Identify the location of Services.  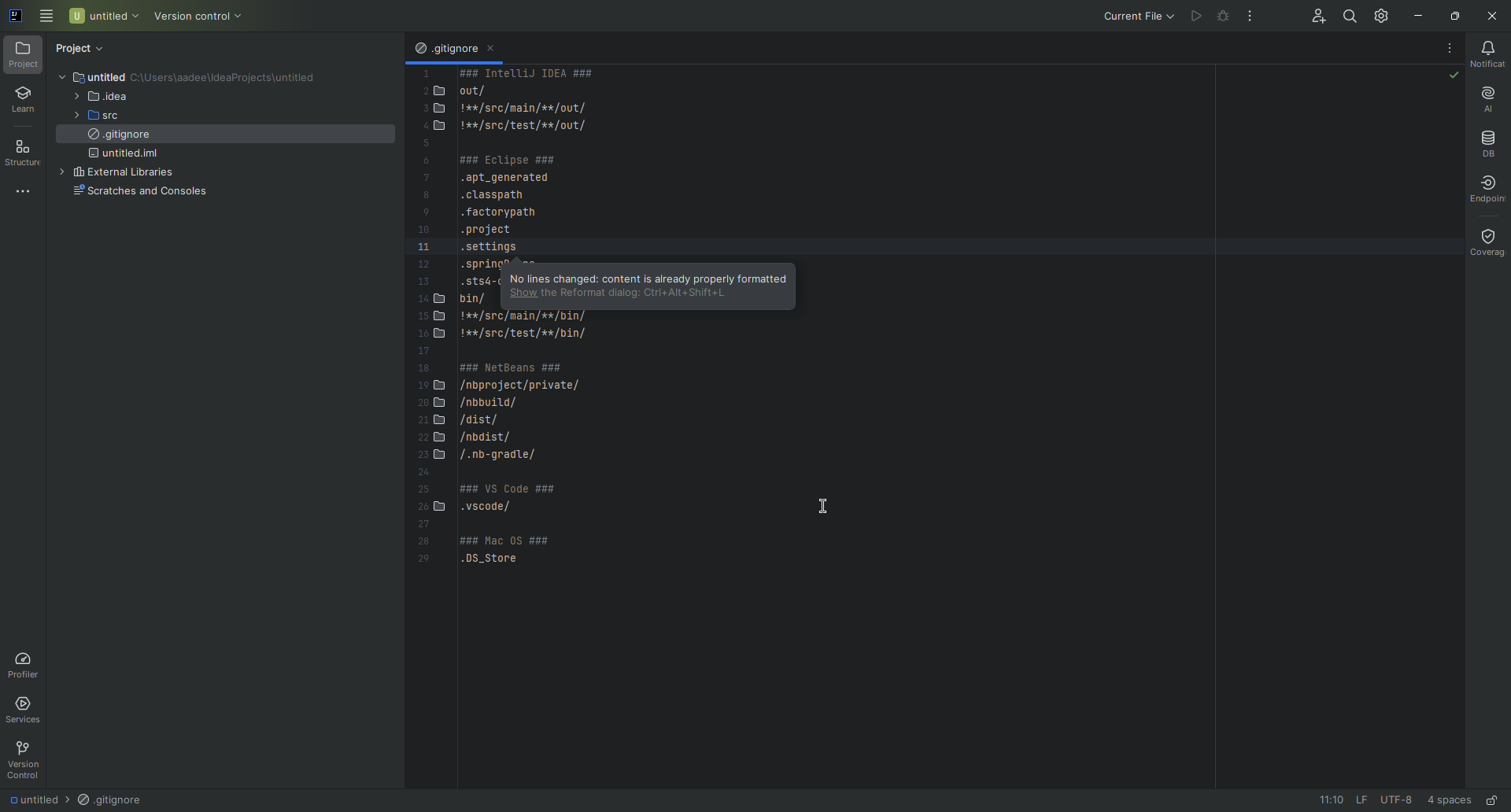
(29, 710).